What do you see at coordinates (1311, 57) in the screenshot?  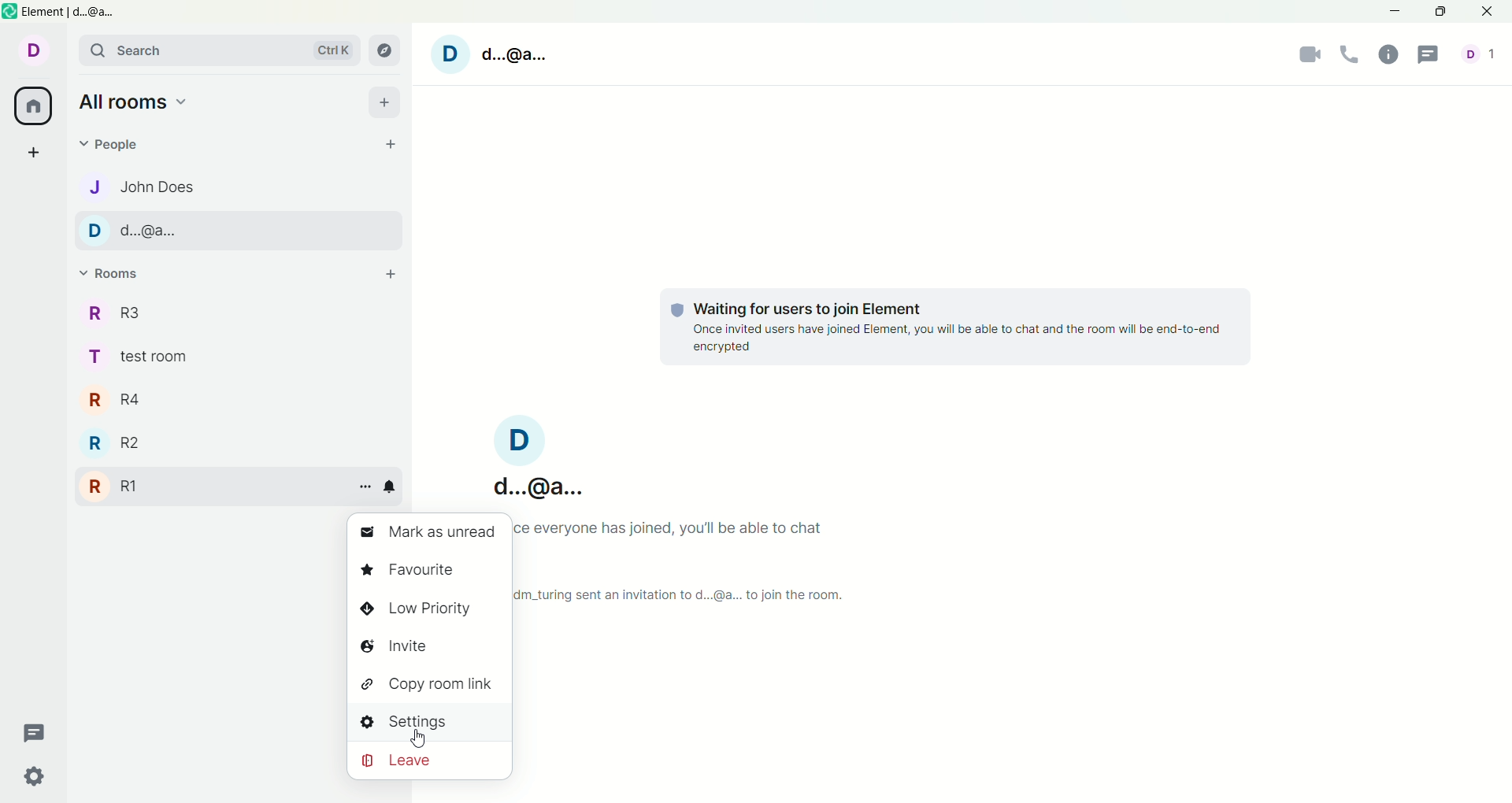 I see `video call` at bounding box center [1311, 57].